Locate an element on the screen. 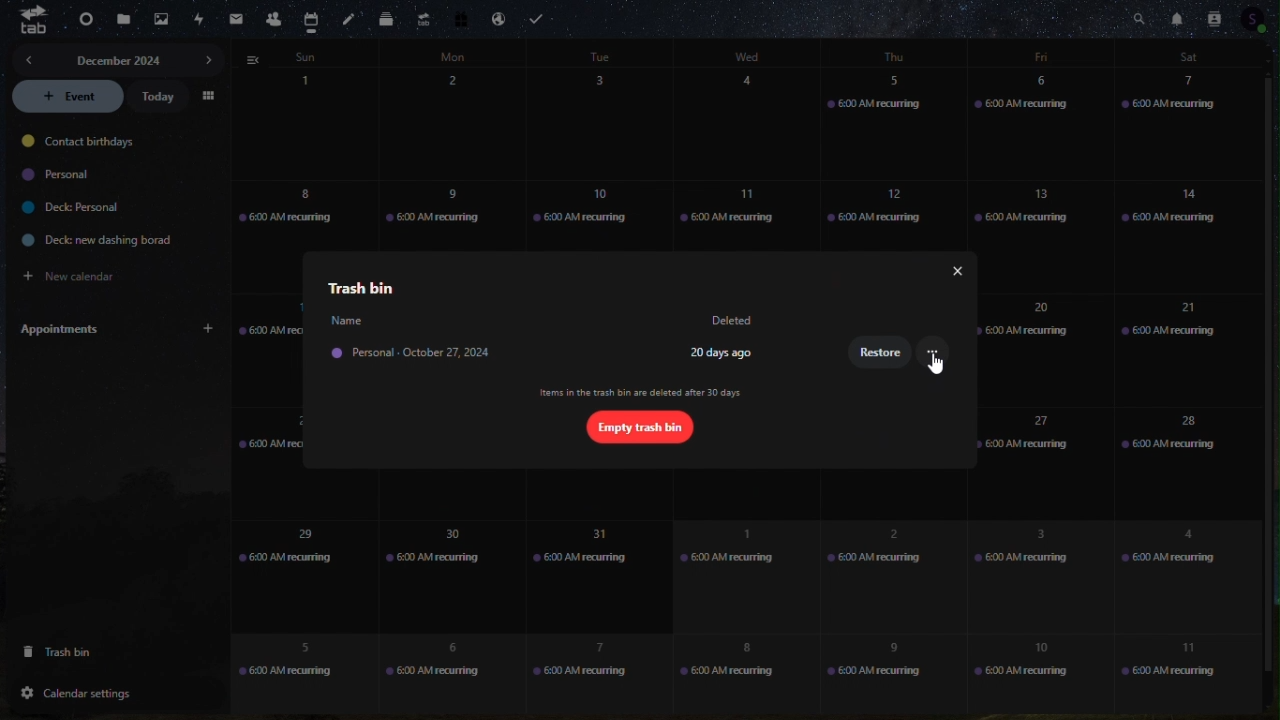 Image resolution: width=1280 pixels, height=720 pixels. 1 is located at coordinates (733, 571).